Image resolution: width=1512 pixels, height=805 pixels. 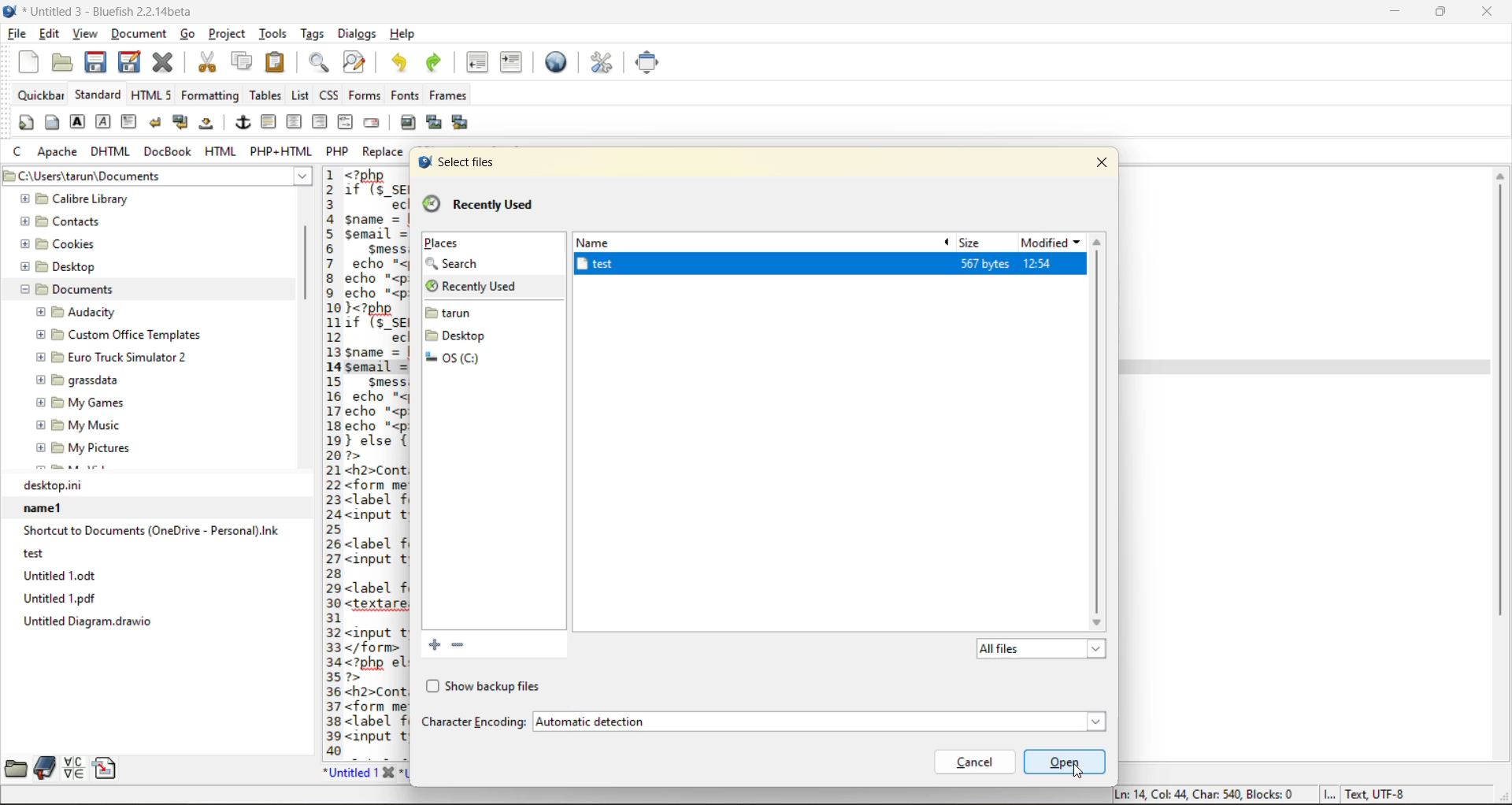 What do you see at coordinates (442, 244) in the screenshot?
I see `places` at bounding box center [442, 244].